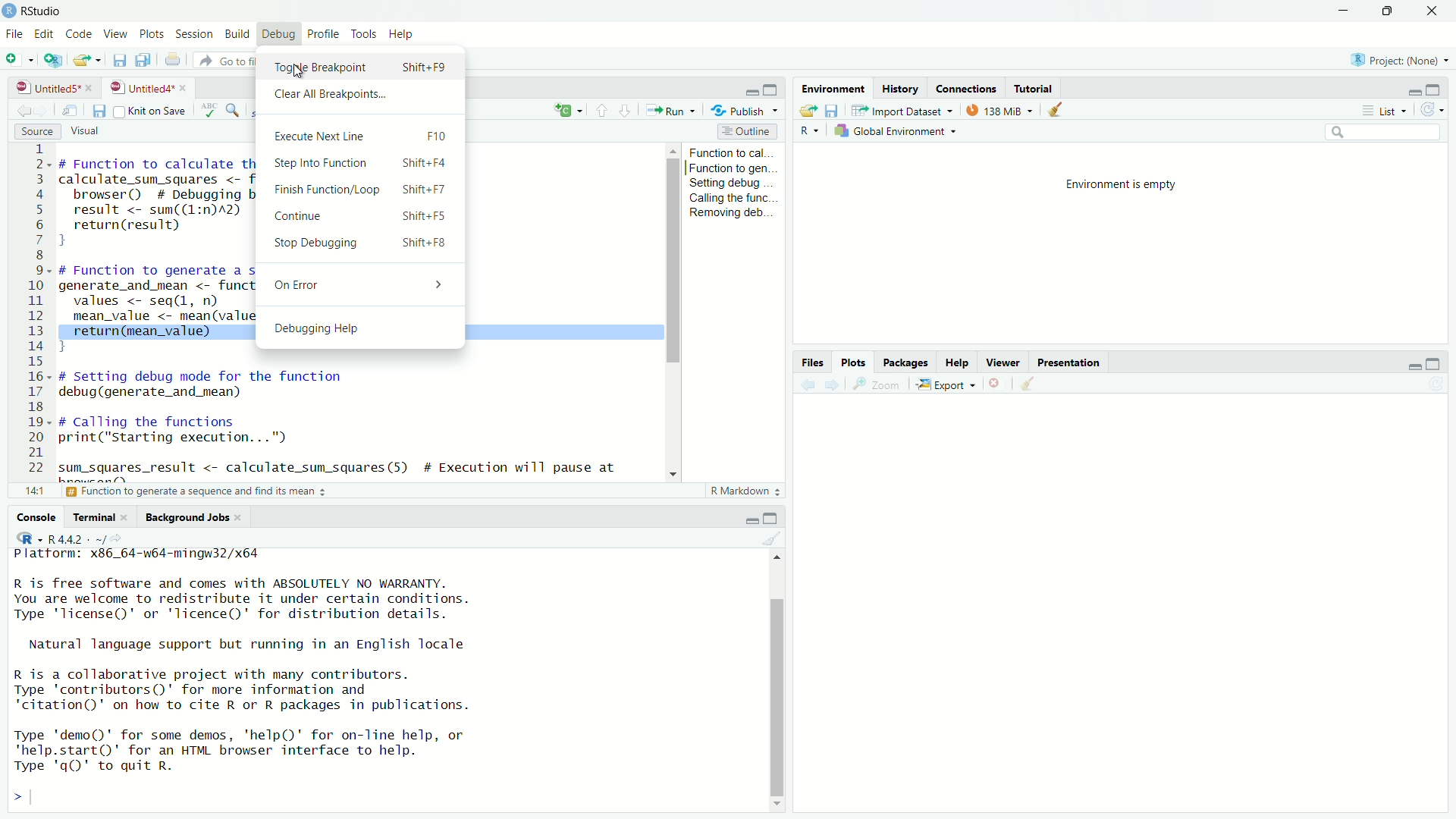 Image resolution: width=1456 pixels, height=819 pixels. I want to click on save current document, so click(98, 110).